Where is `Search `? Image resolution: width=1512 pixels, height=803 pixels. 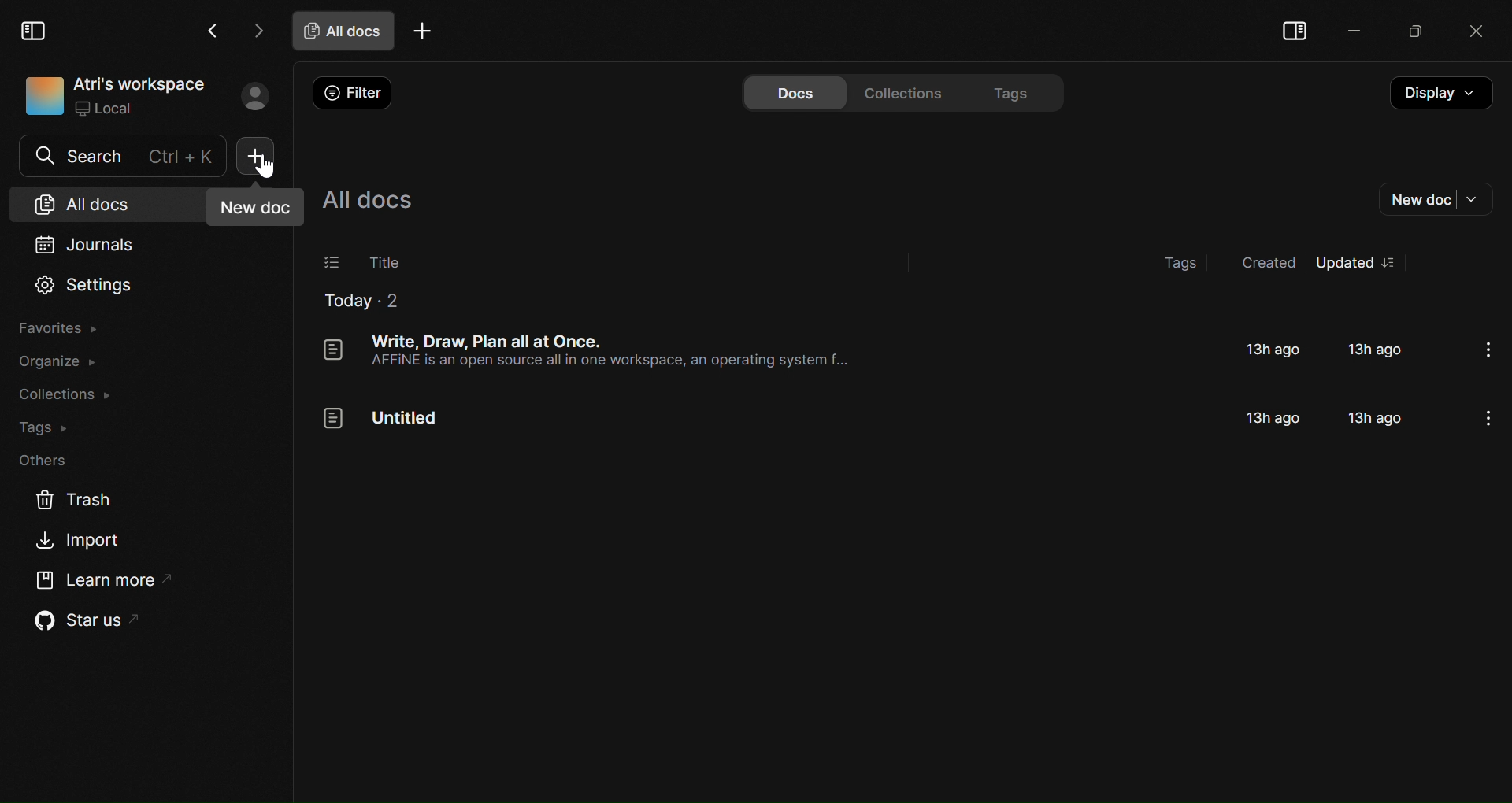 Search  is located at coordinates (123, 156).